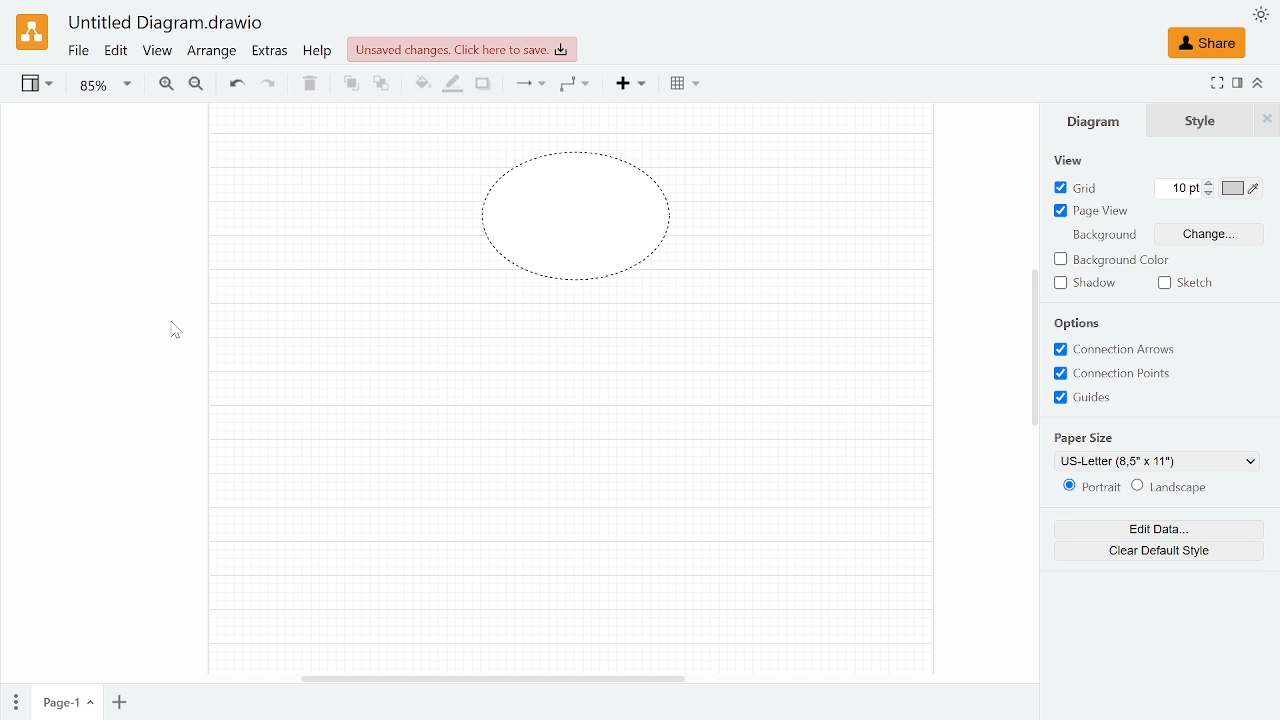 The image size is (1280, 720). I want to click on Shadow, so click(1084, 283).